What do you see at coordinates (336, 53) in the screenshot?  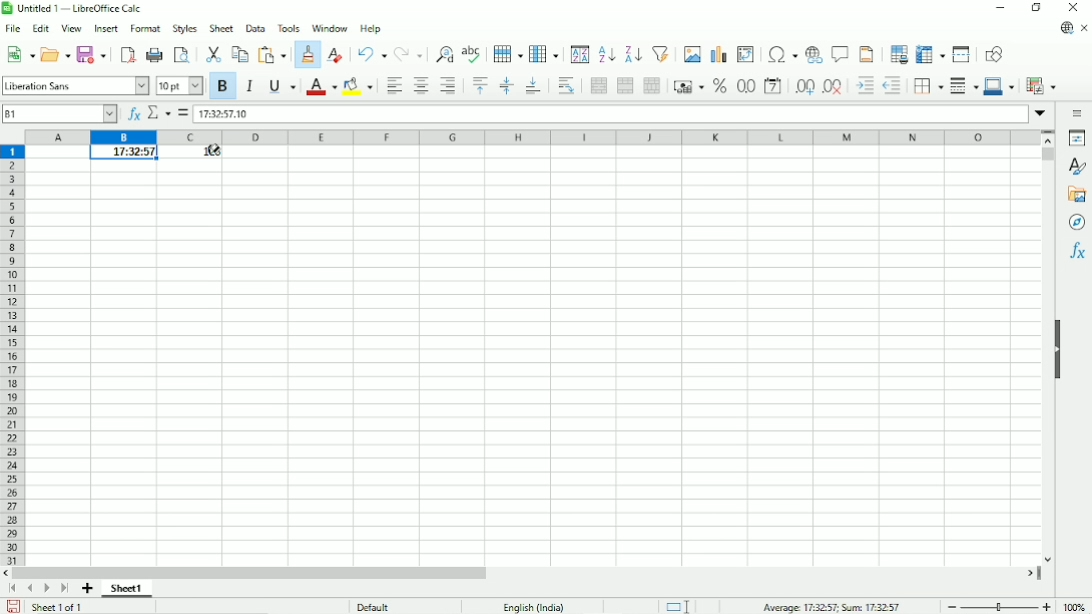 I see `Clear direct formatting` at bounding box center [336, 53].